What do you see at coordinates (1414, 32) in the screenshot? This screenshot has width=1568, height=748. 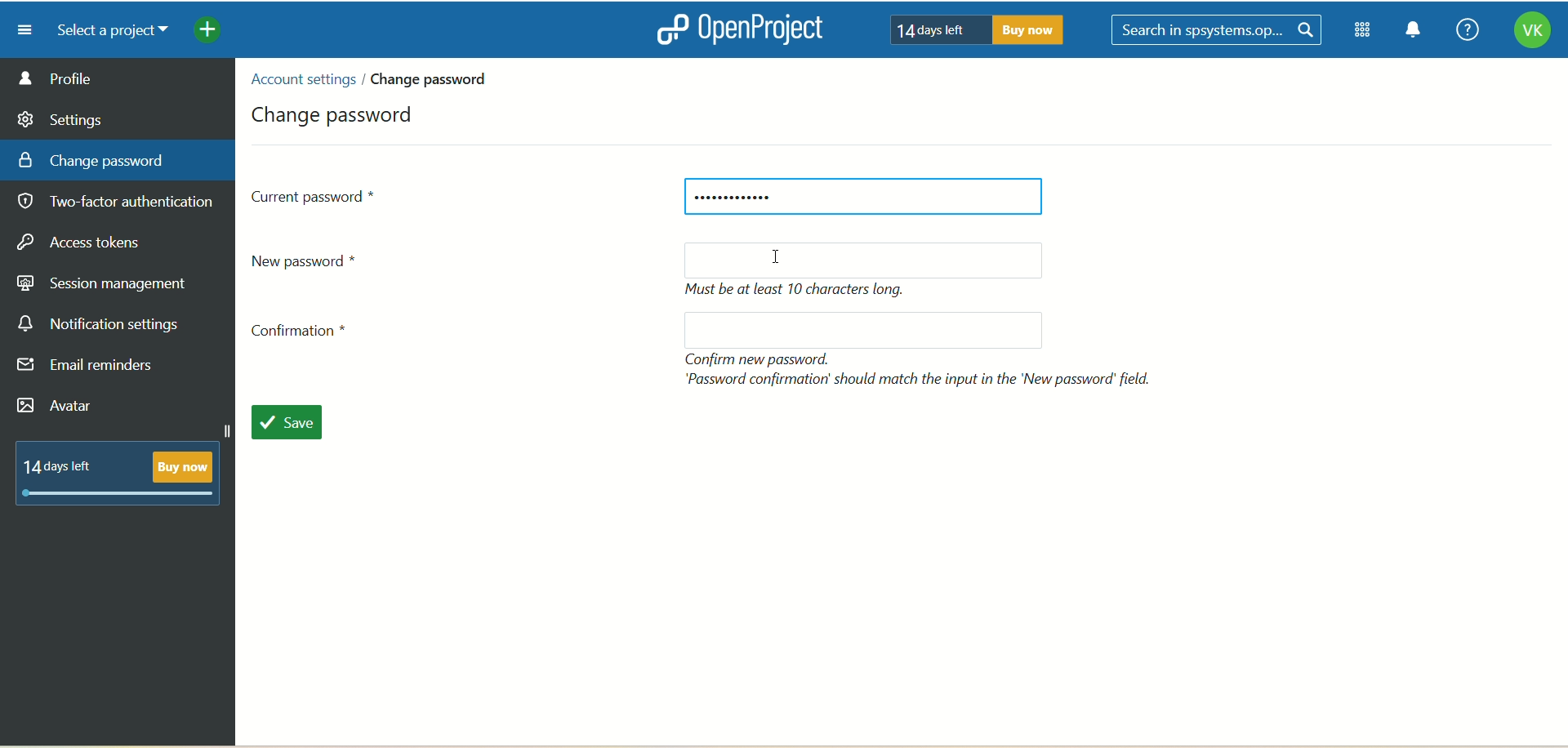 I see `notification` at bounding box center [1414, 32].